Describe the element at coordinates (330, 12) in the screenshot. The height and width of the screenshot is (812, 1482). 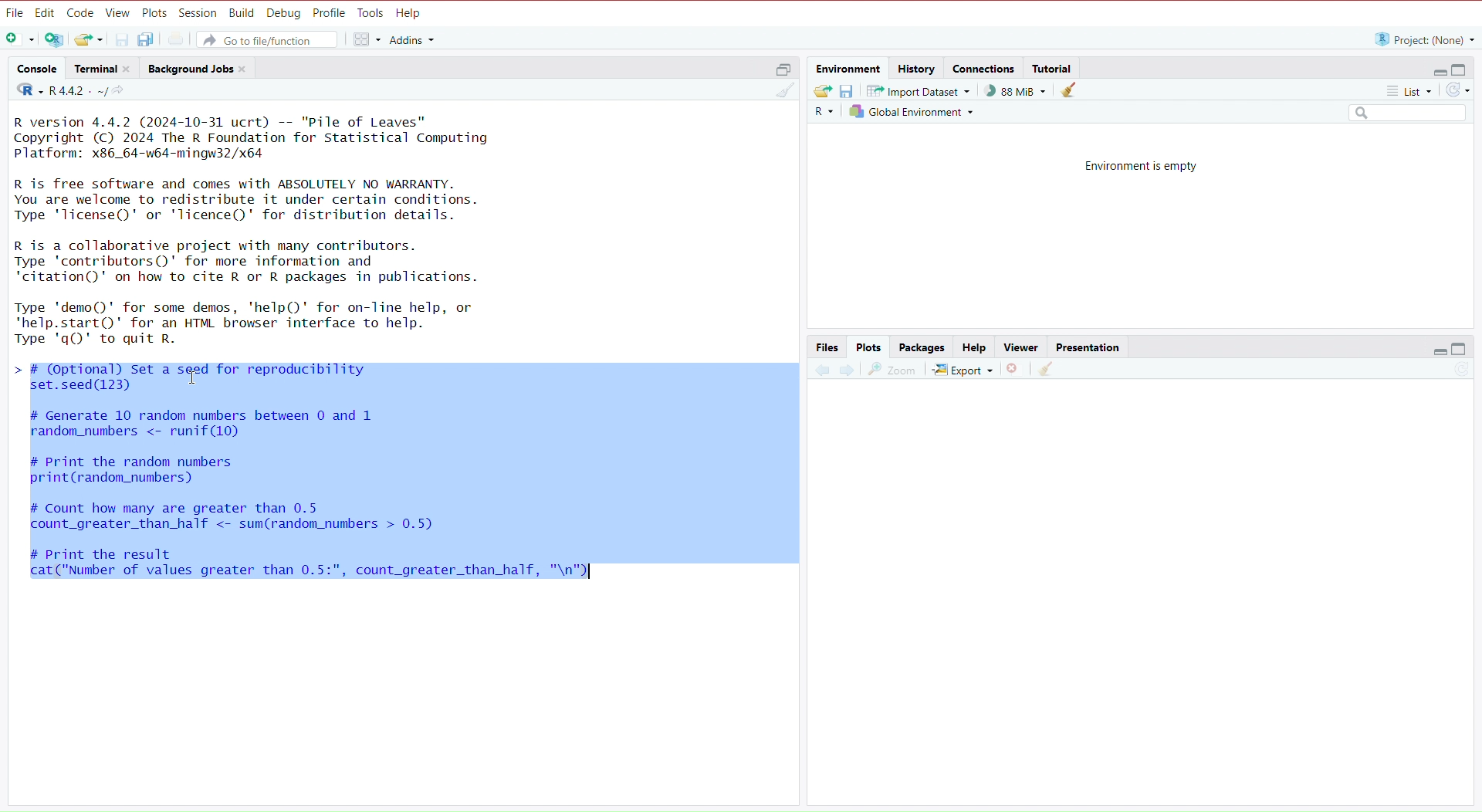
I see `Profile` at that location.